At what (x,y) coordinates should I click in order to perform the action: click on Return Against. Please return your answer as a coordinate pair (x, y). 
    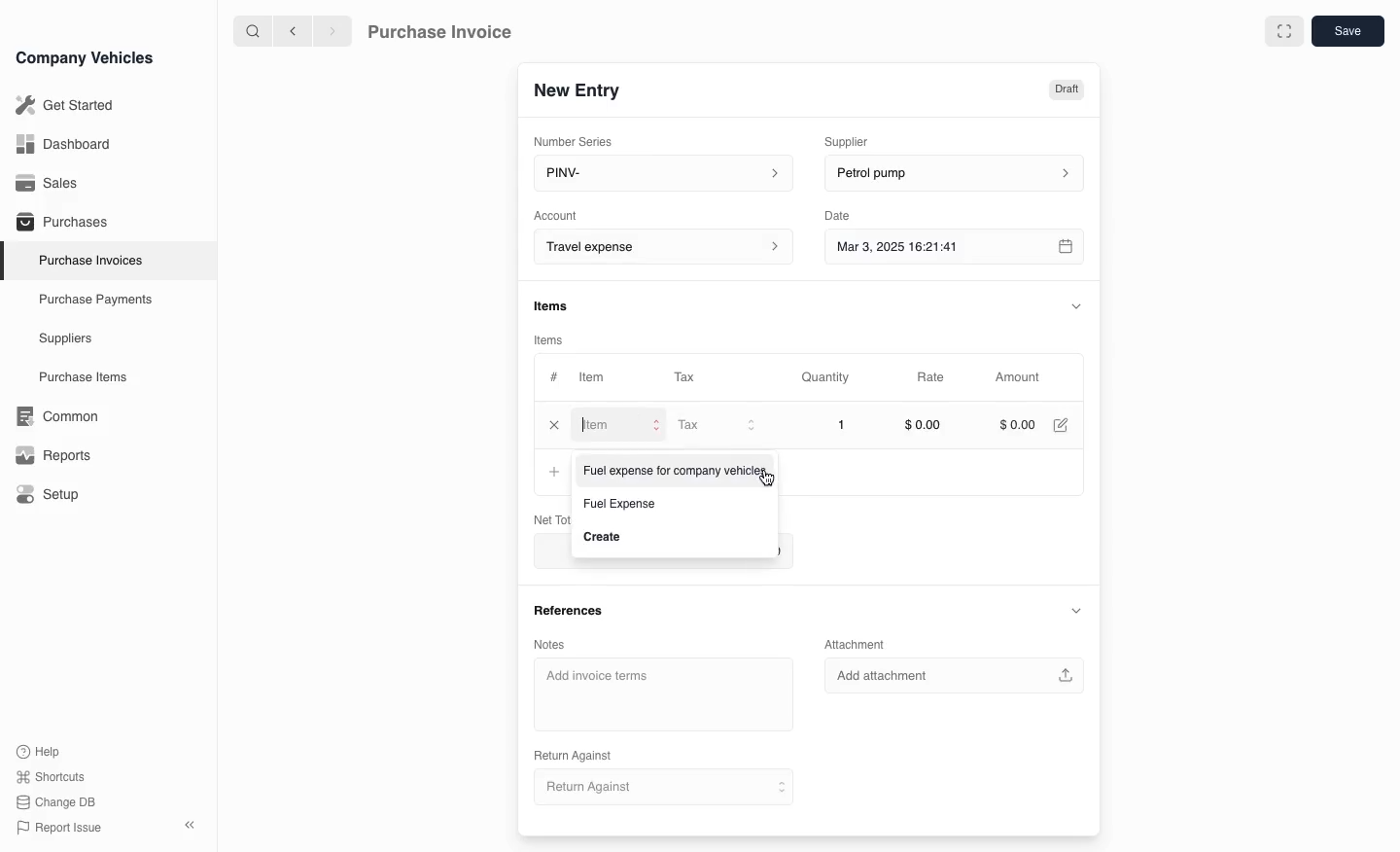
    Looking at the image, I should click on (660, 788).